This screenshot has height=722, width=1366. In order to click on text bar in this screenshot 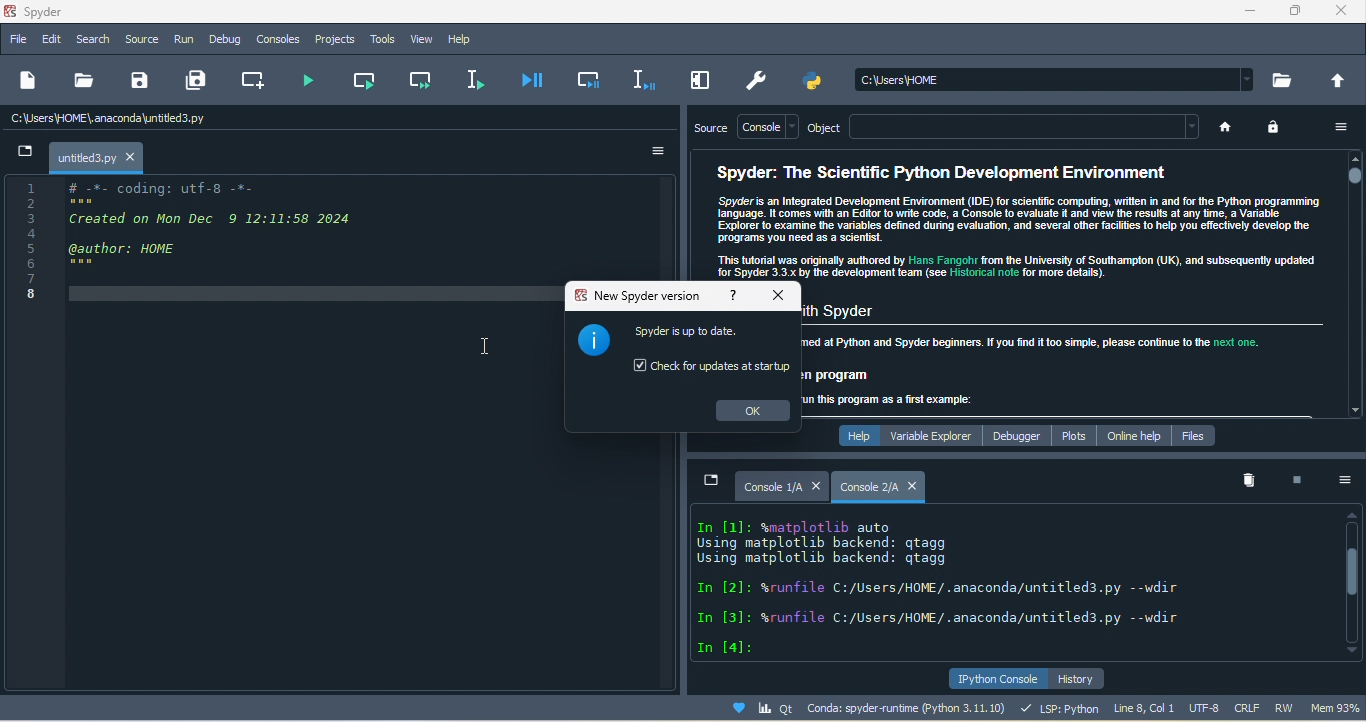, I will do `click(1031, 128)`.